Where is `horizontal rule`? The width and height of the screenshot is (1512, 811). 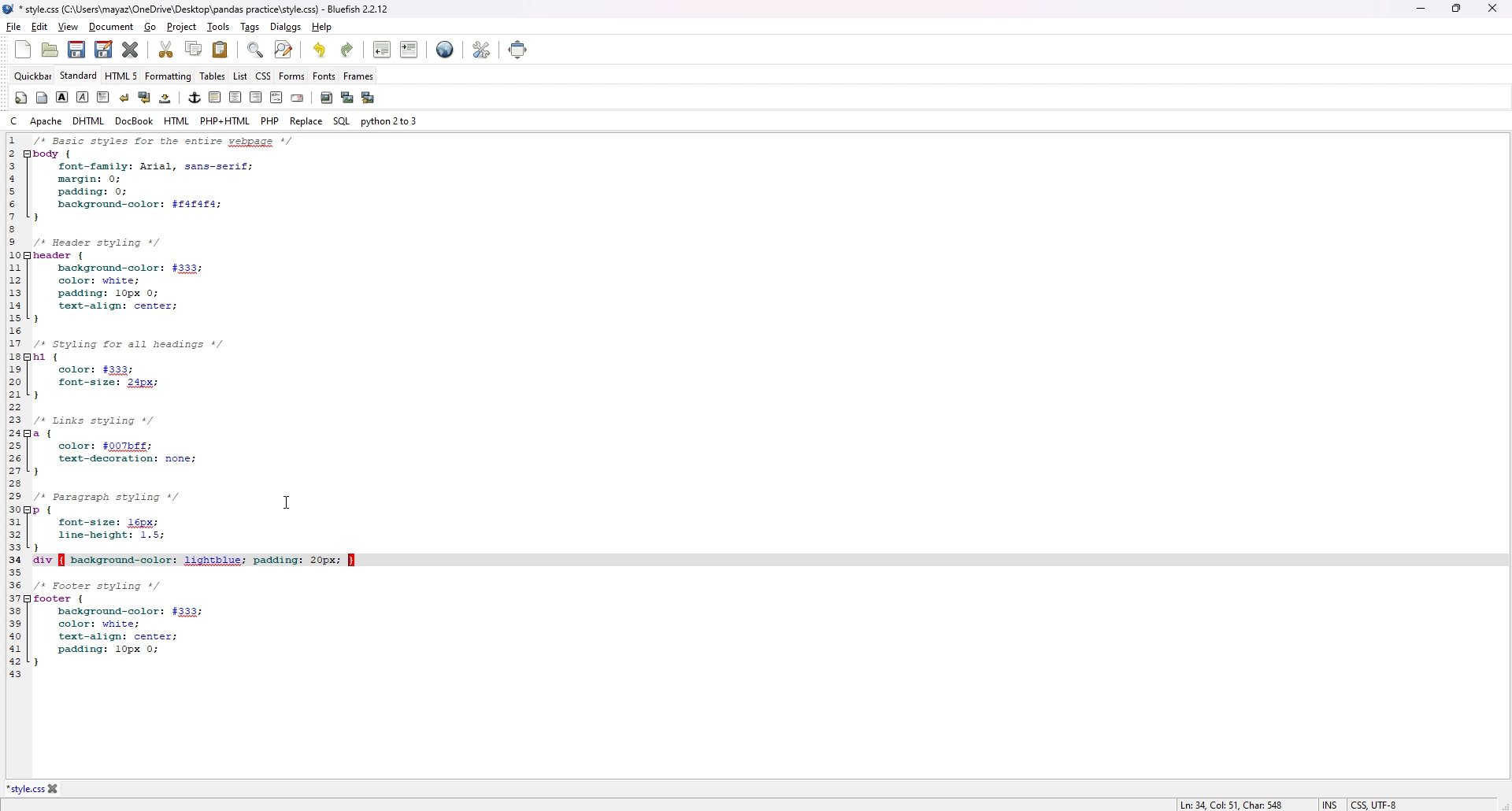
horizontal rule is located at coordinates (215, 97).